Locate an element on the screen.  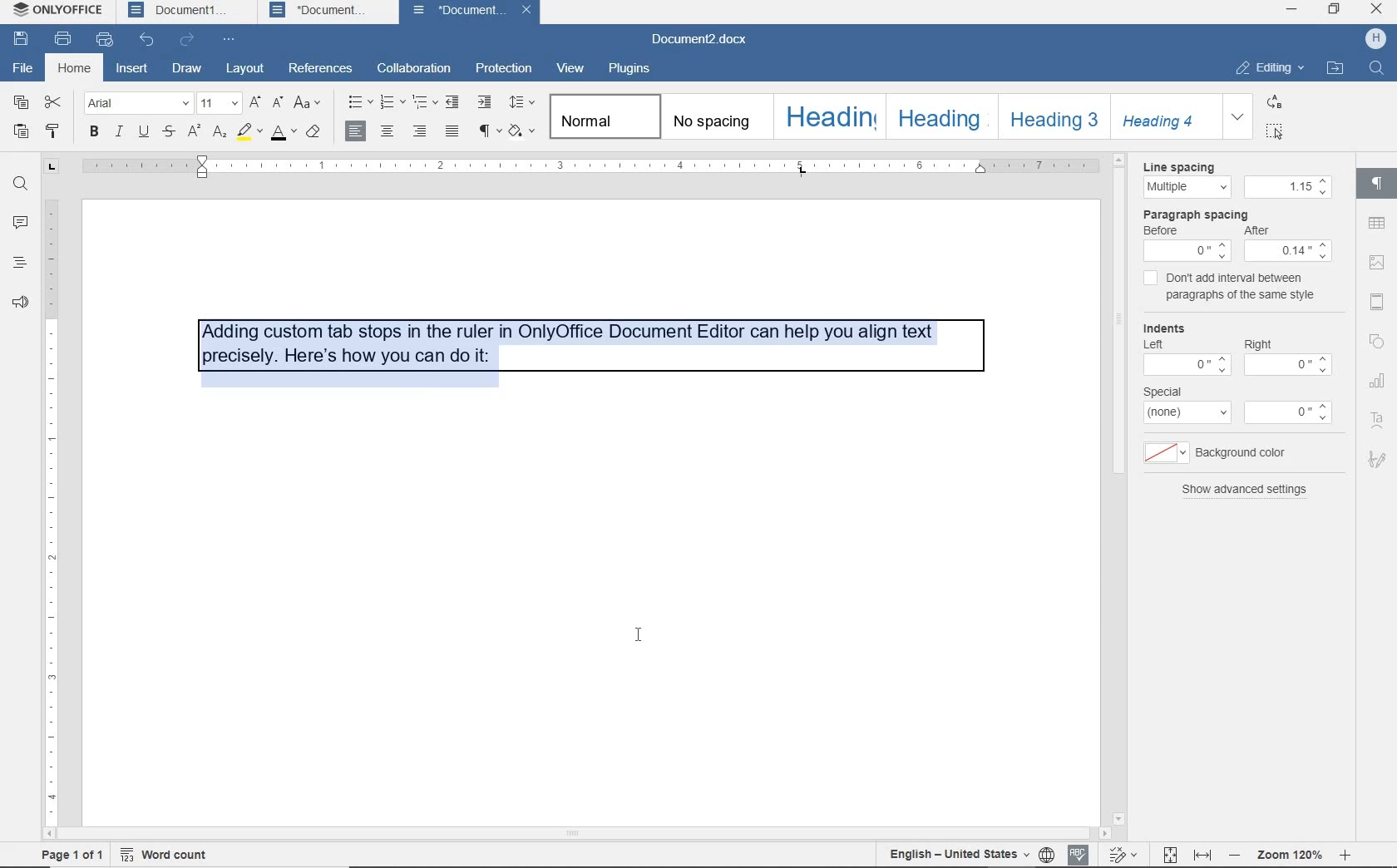
cursor is located at coordinates (639, 635).